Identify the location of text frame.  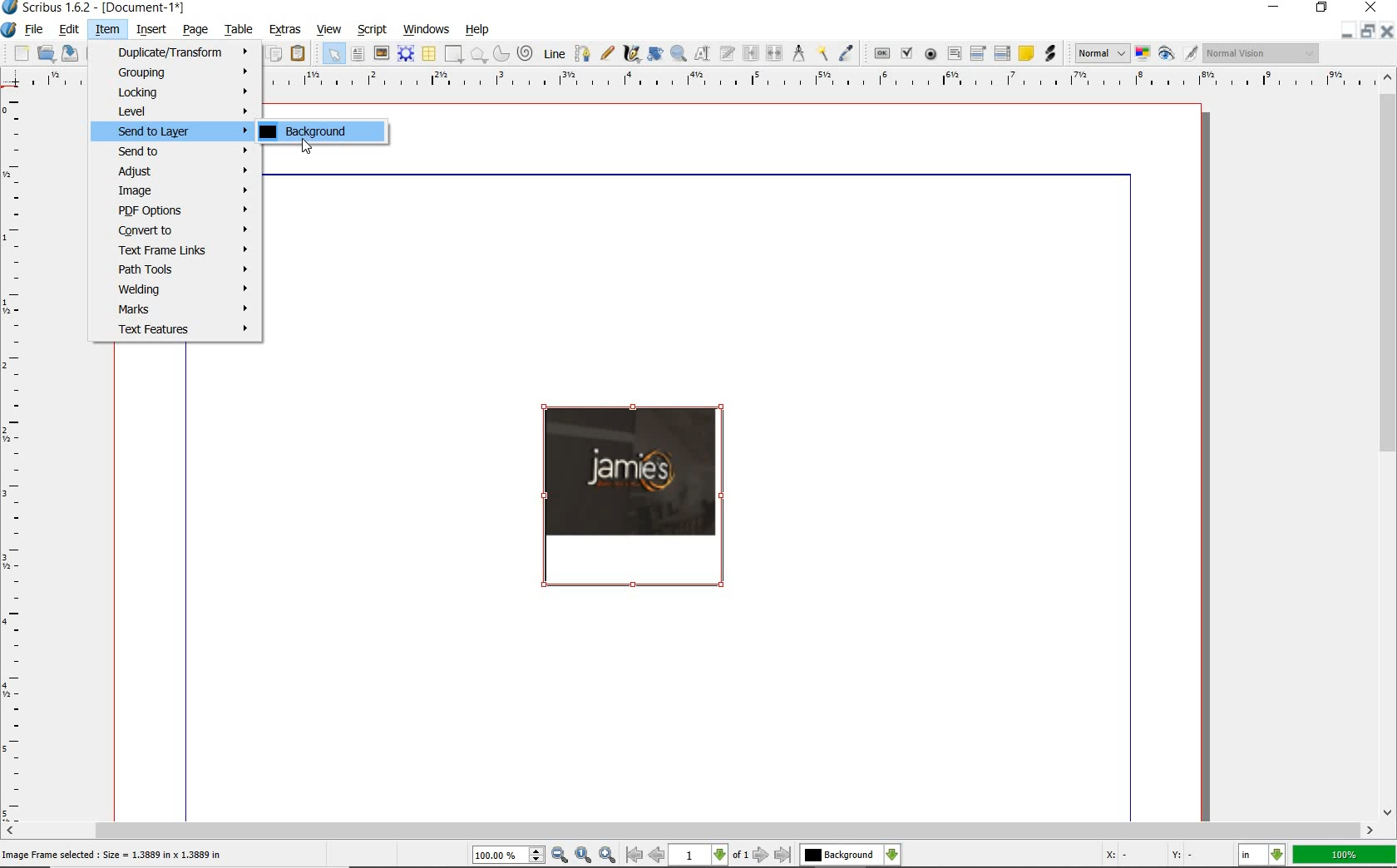
(356, 55).